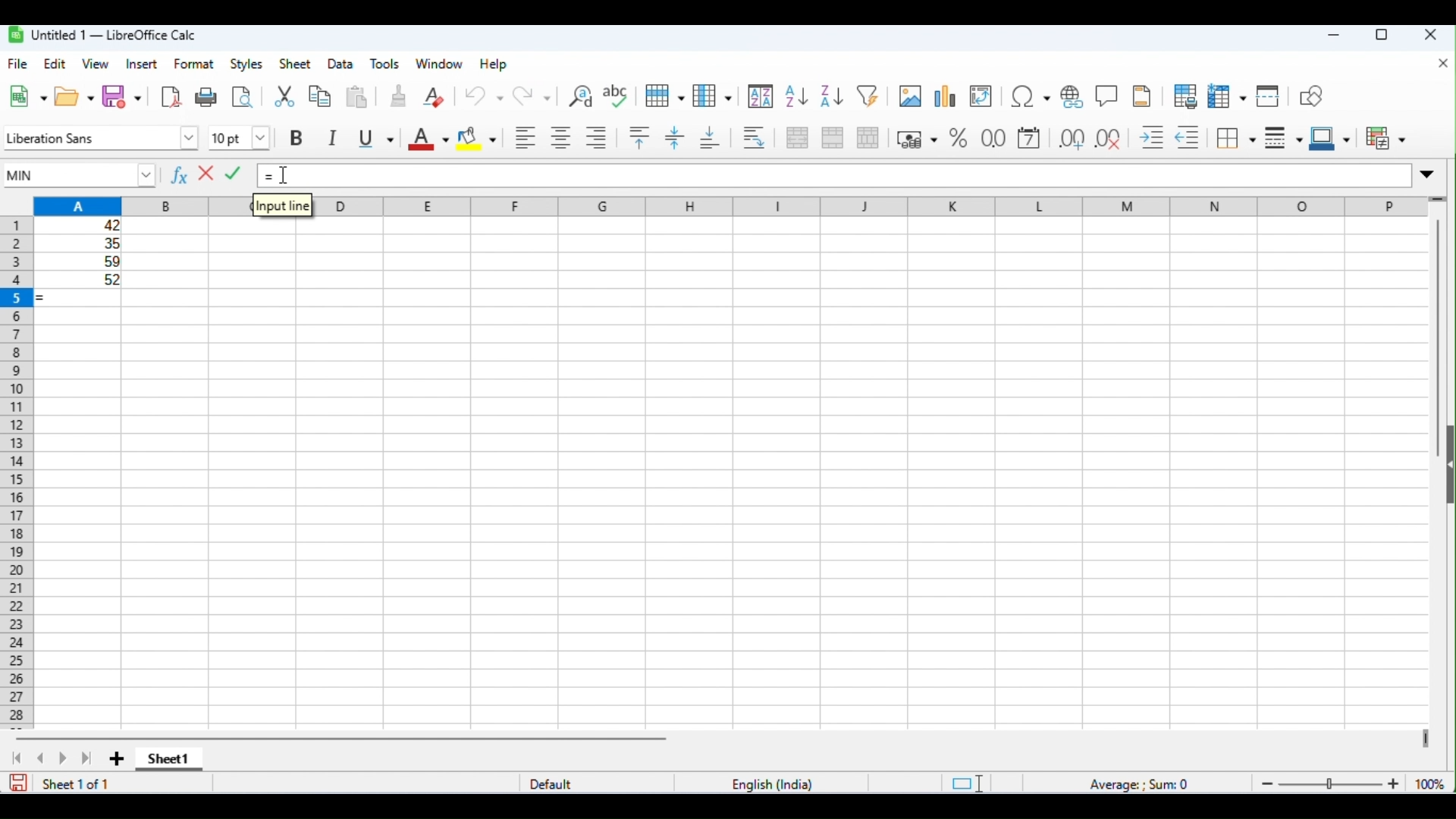 The width and height of the screenshot is (1456, 819). I want to click on border style, so click(1280, 140).